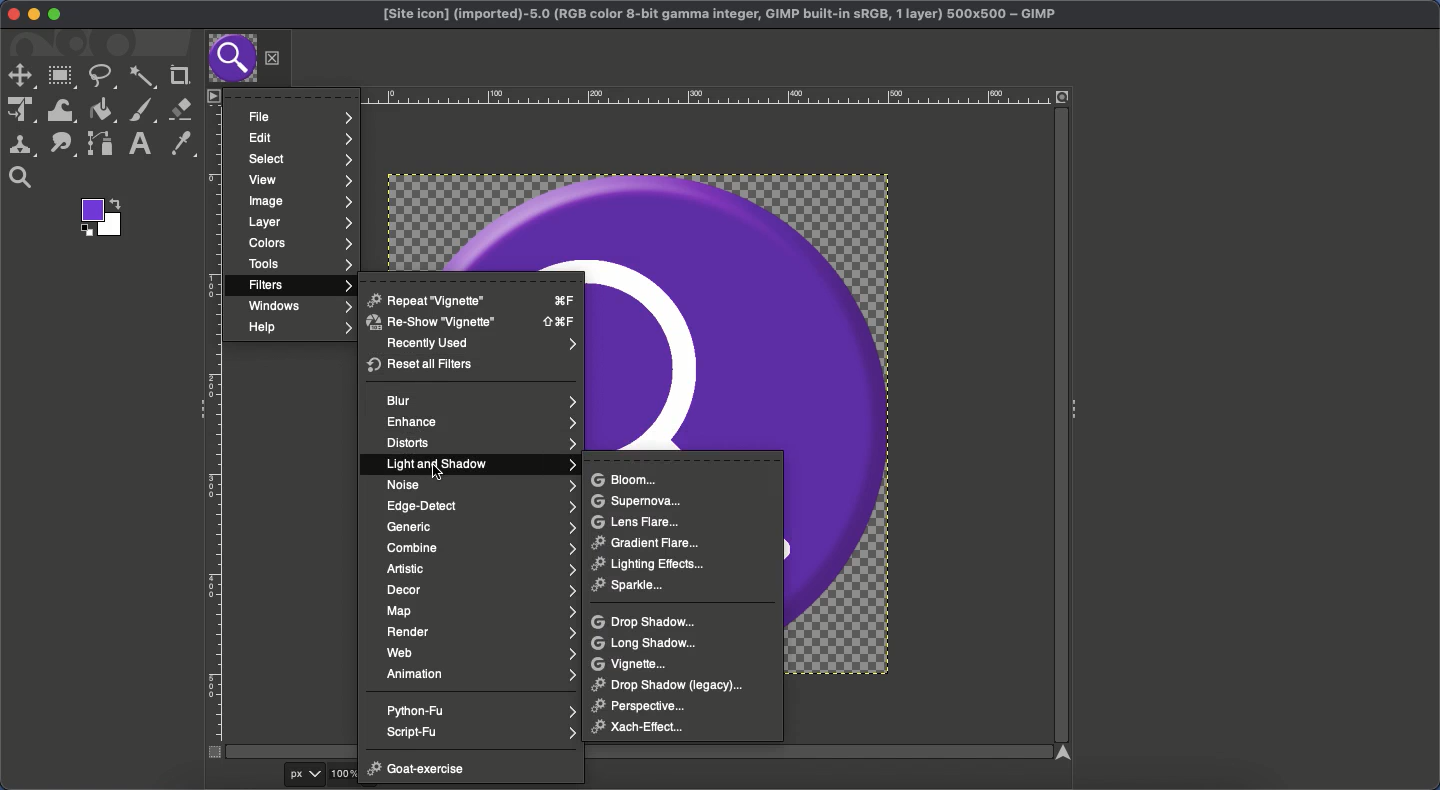  I want to click on Decor, so click(481, 590).